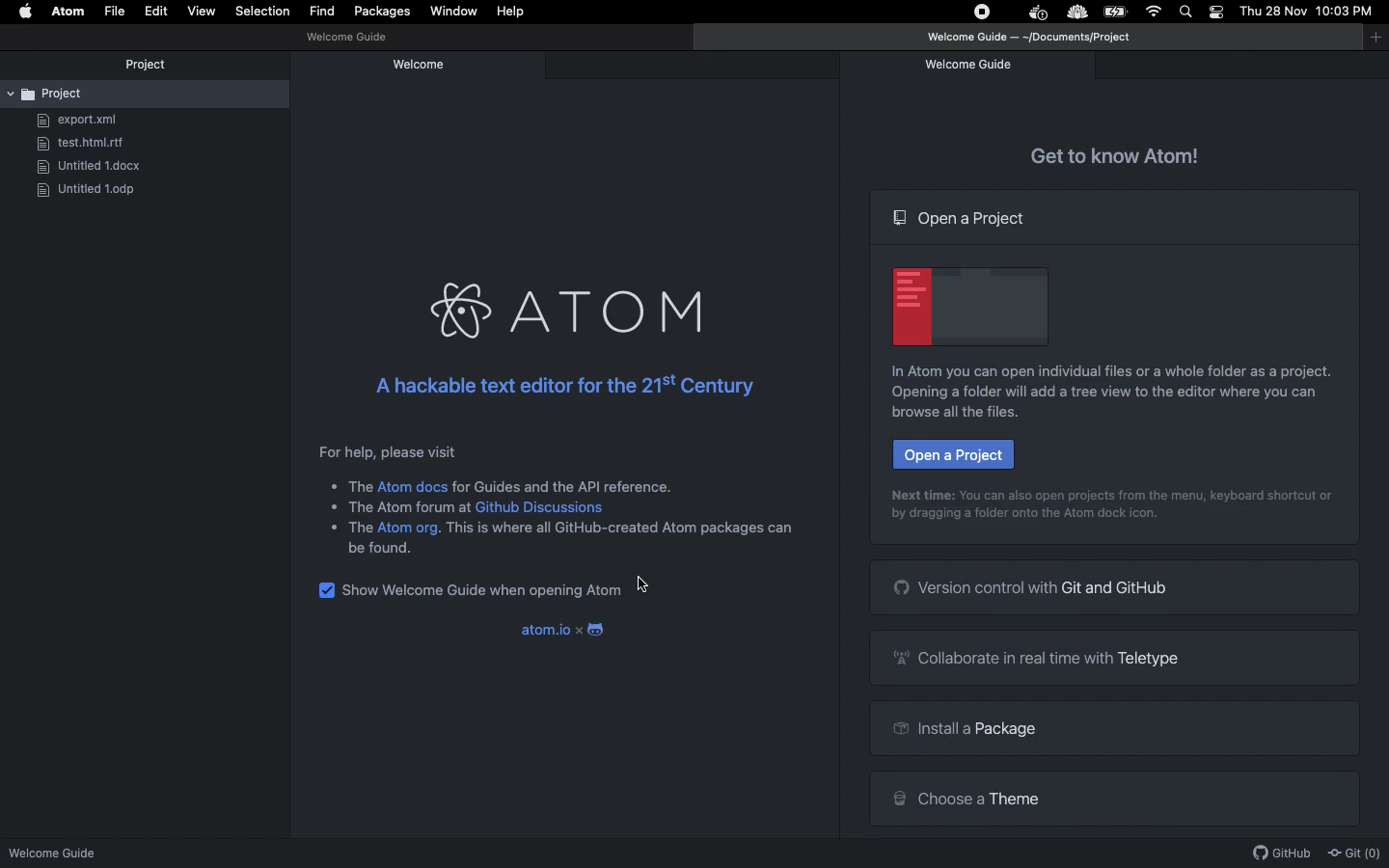  What do you see at coordinates (114, 12) in the screenshot?
I see `File` at bounding box center [114, 12].